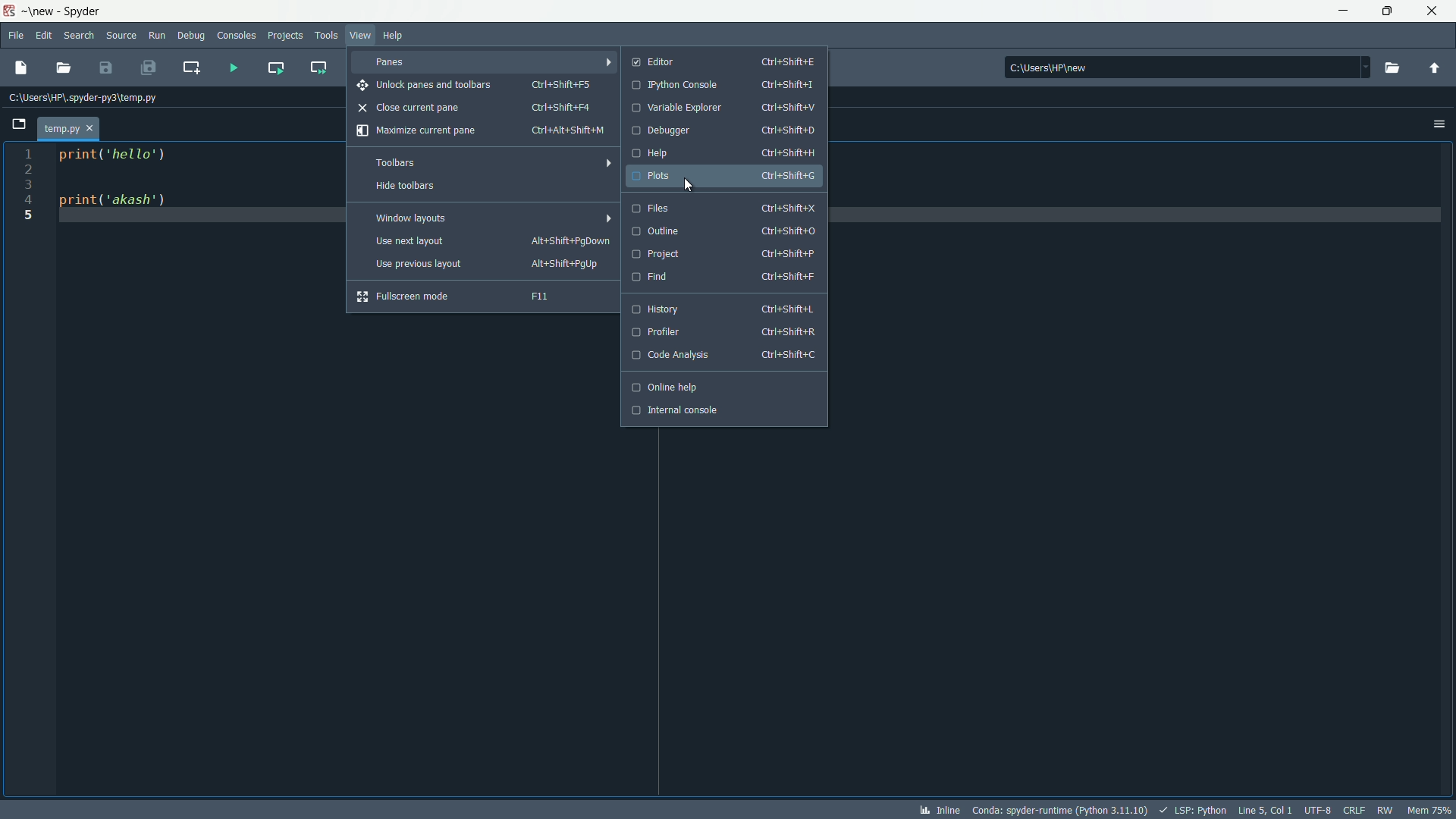 This screenshot has height=819, width=1456. Describe the element at coordinates (723, 132) in the screenshot. I see `debugger` at that location.